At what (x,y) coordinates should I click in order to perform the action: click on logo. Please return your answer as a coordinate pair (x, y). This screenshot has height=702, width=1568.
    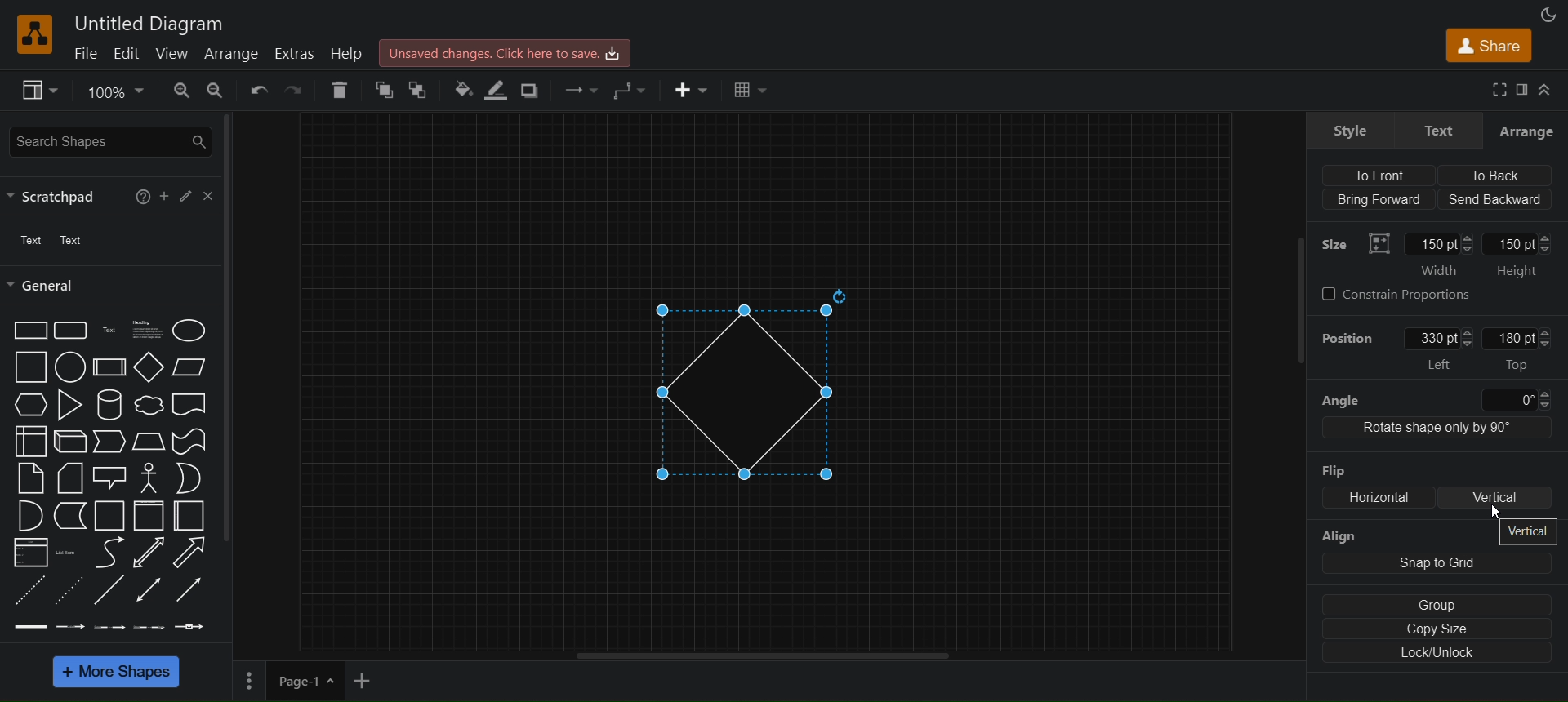
    Looking at the image, I should click on (34, 33).